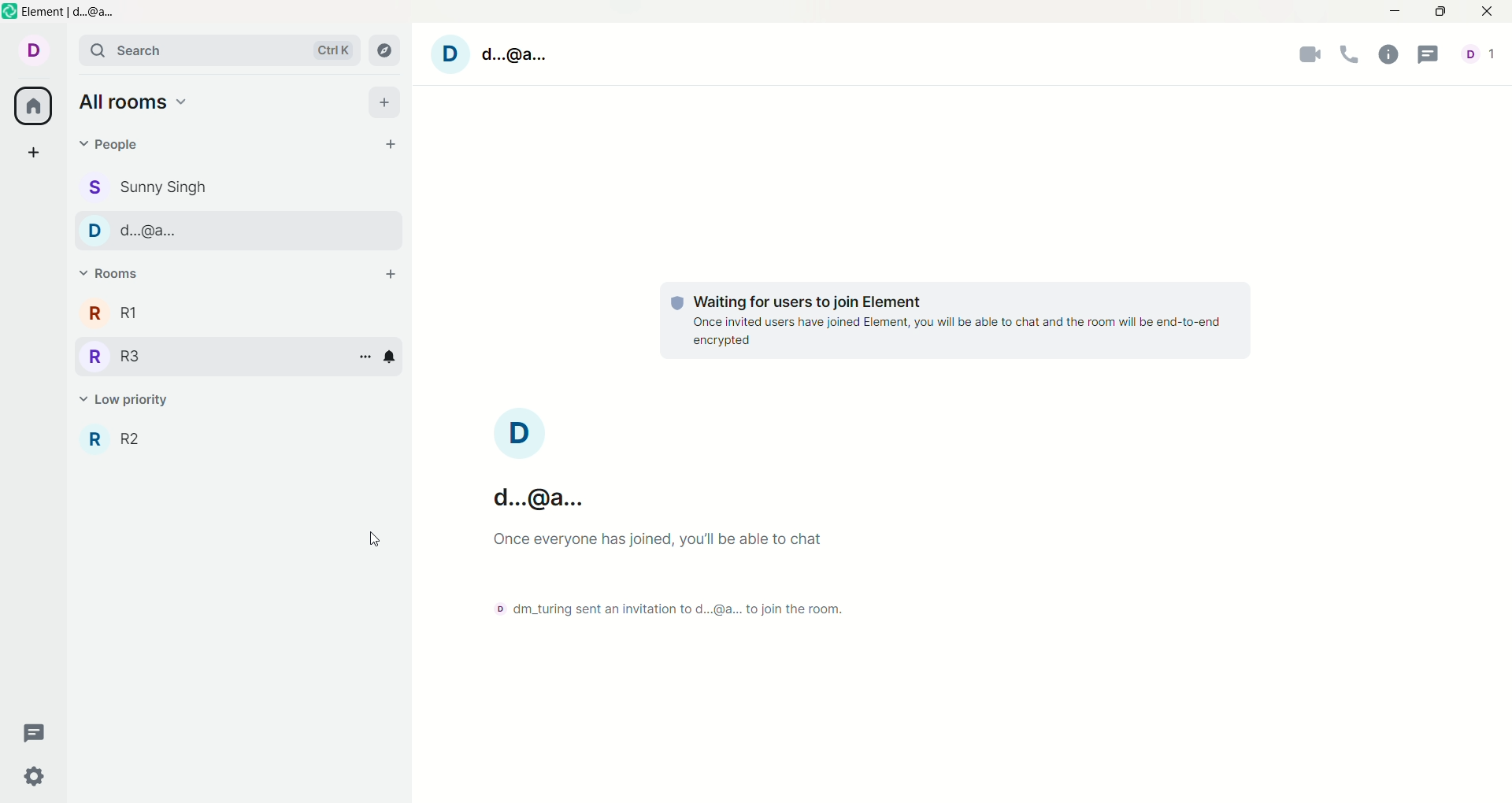  I want to click on room 3, so click(113, 358).